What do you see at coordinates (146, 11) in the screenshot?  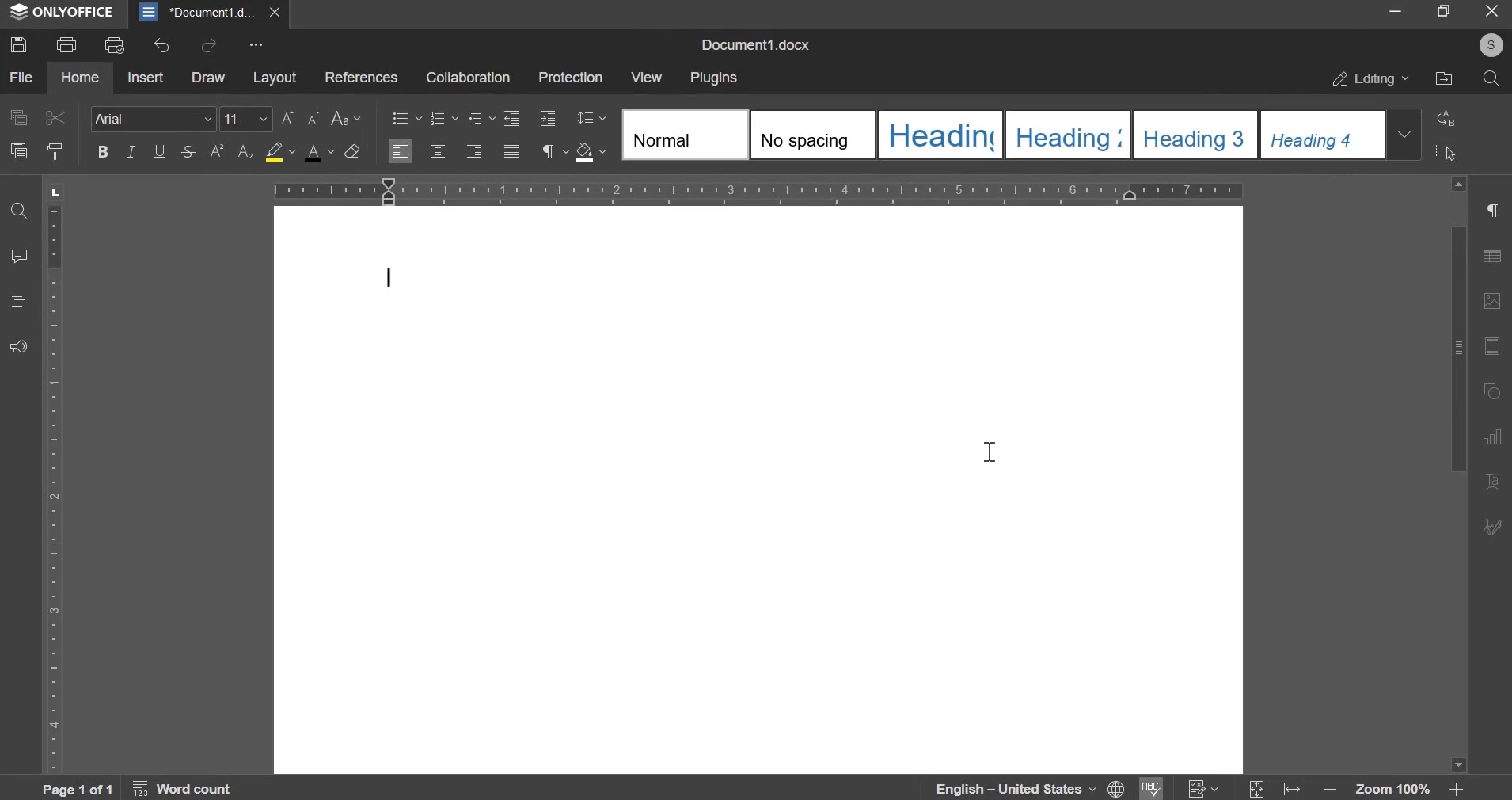 I see `logo` at bounding box center [146, 11].